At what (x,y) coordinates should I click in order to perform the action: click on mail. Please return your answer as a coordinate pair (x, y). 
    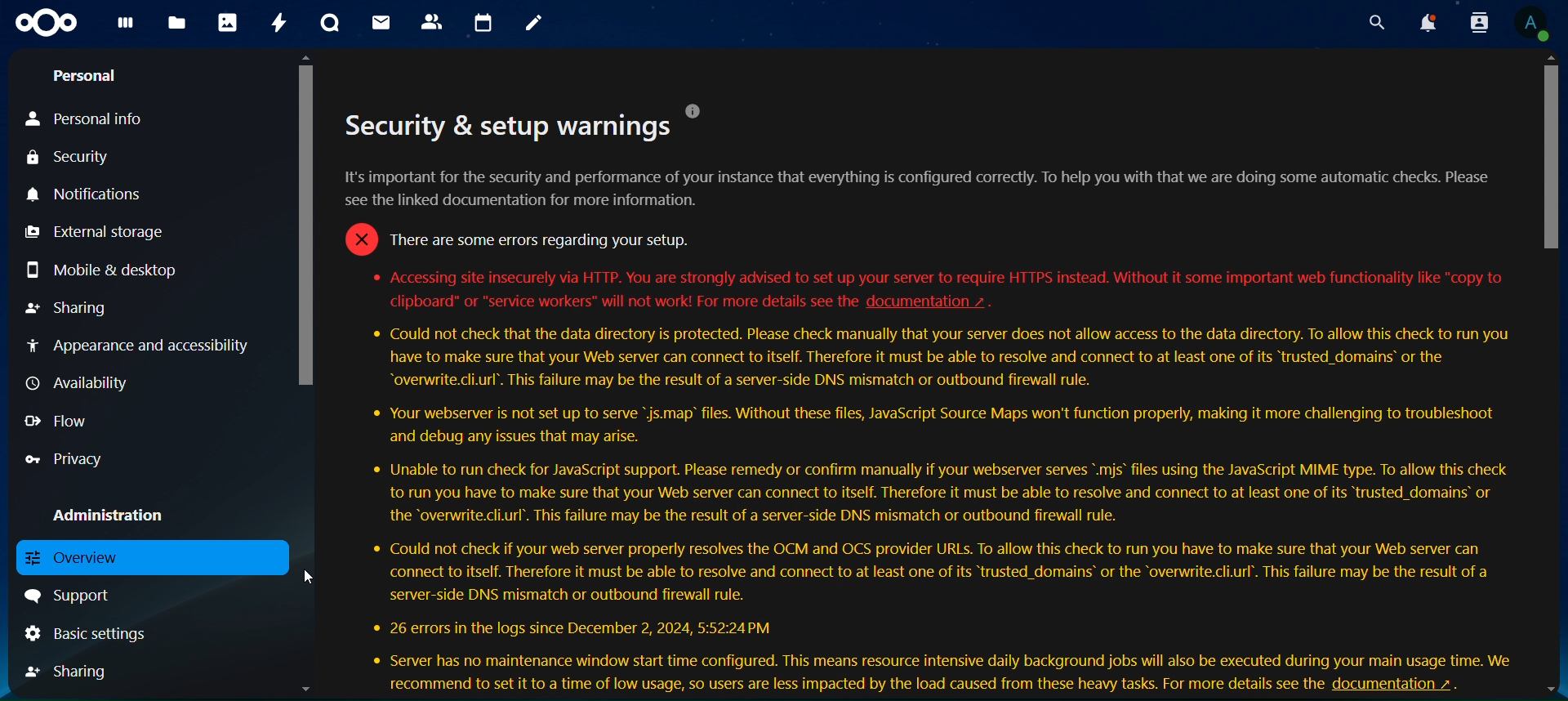
    Looking at the image, I should click on (381, 24).